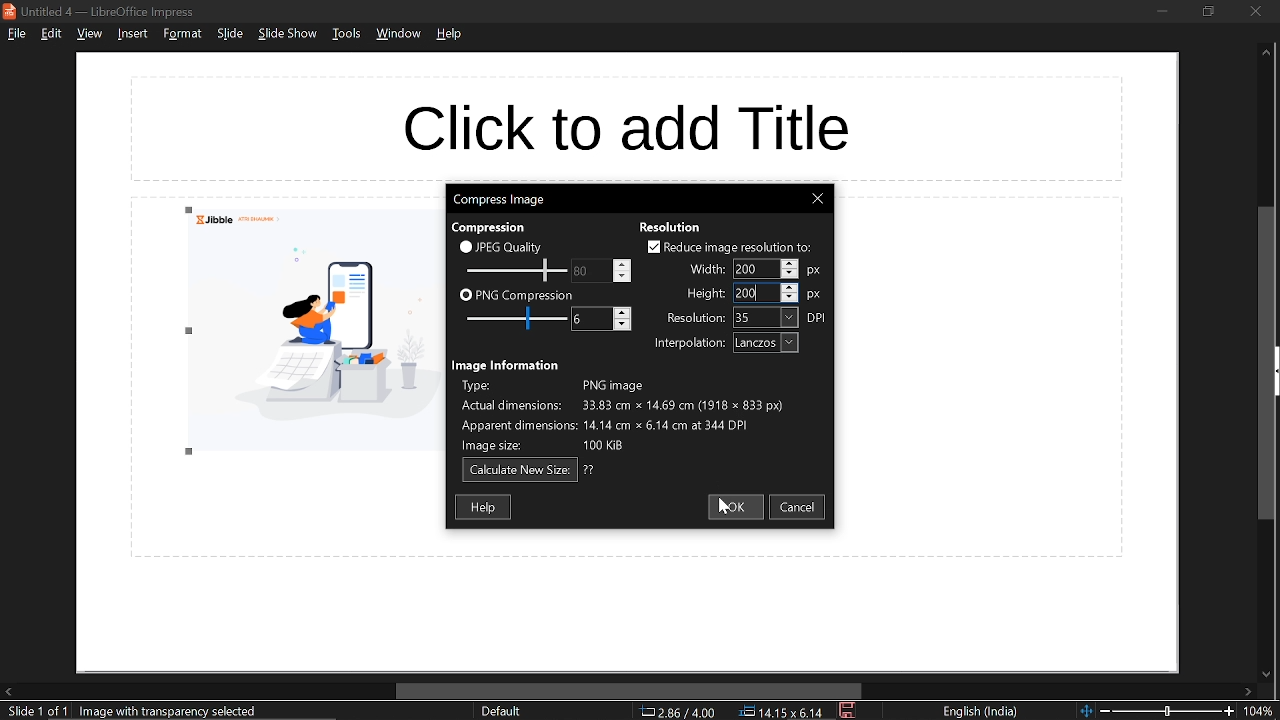 This screenshot has width=1280, height=720. I want to click on save, so click(849, 711).